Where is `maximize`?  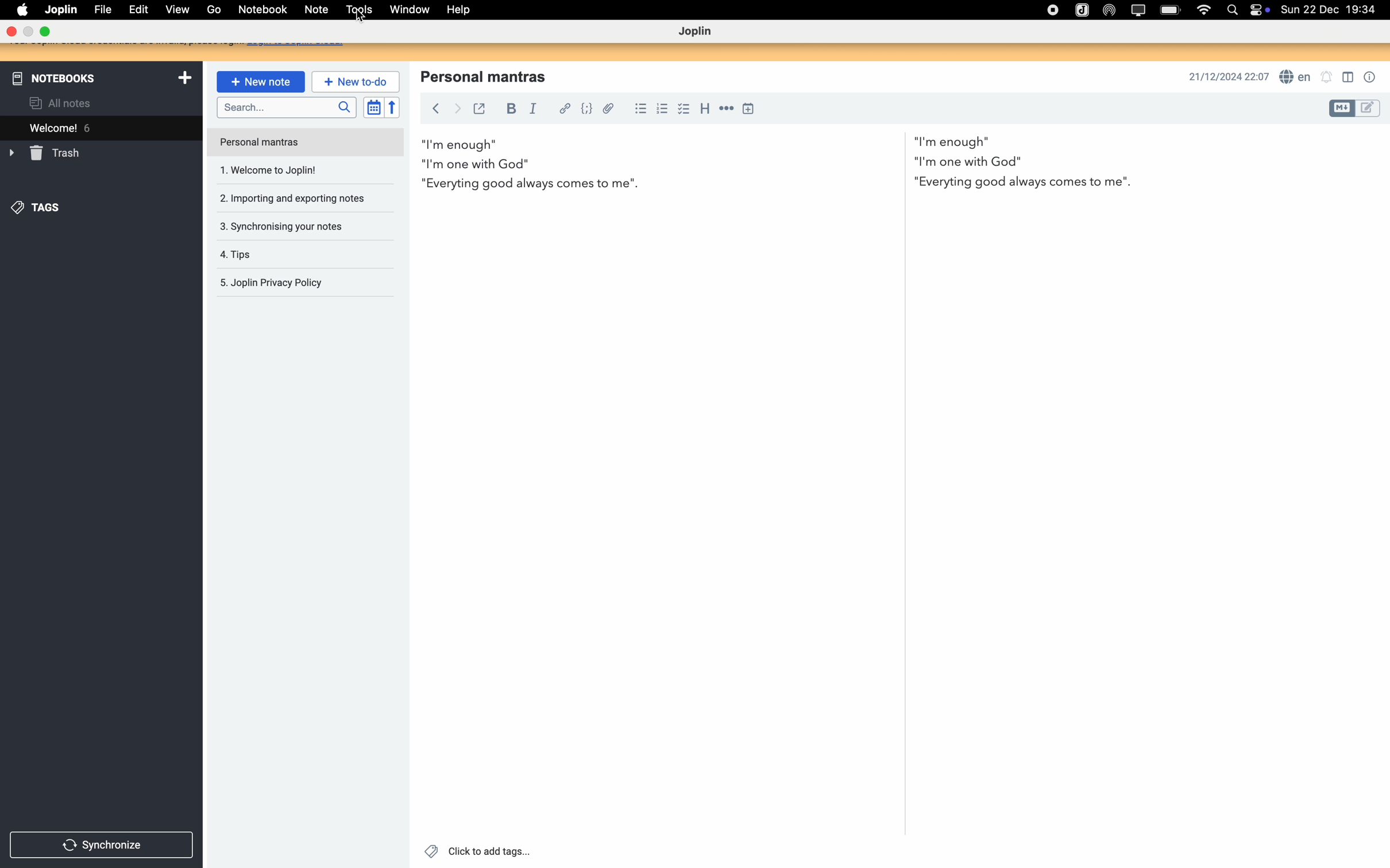 maximize is located at coordinates (46, 30).